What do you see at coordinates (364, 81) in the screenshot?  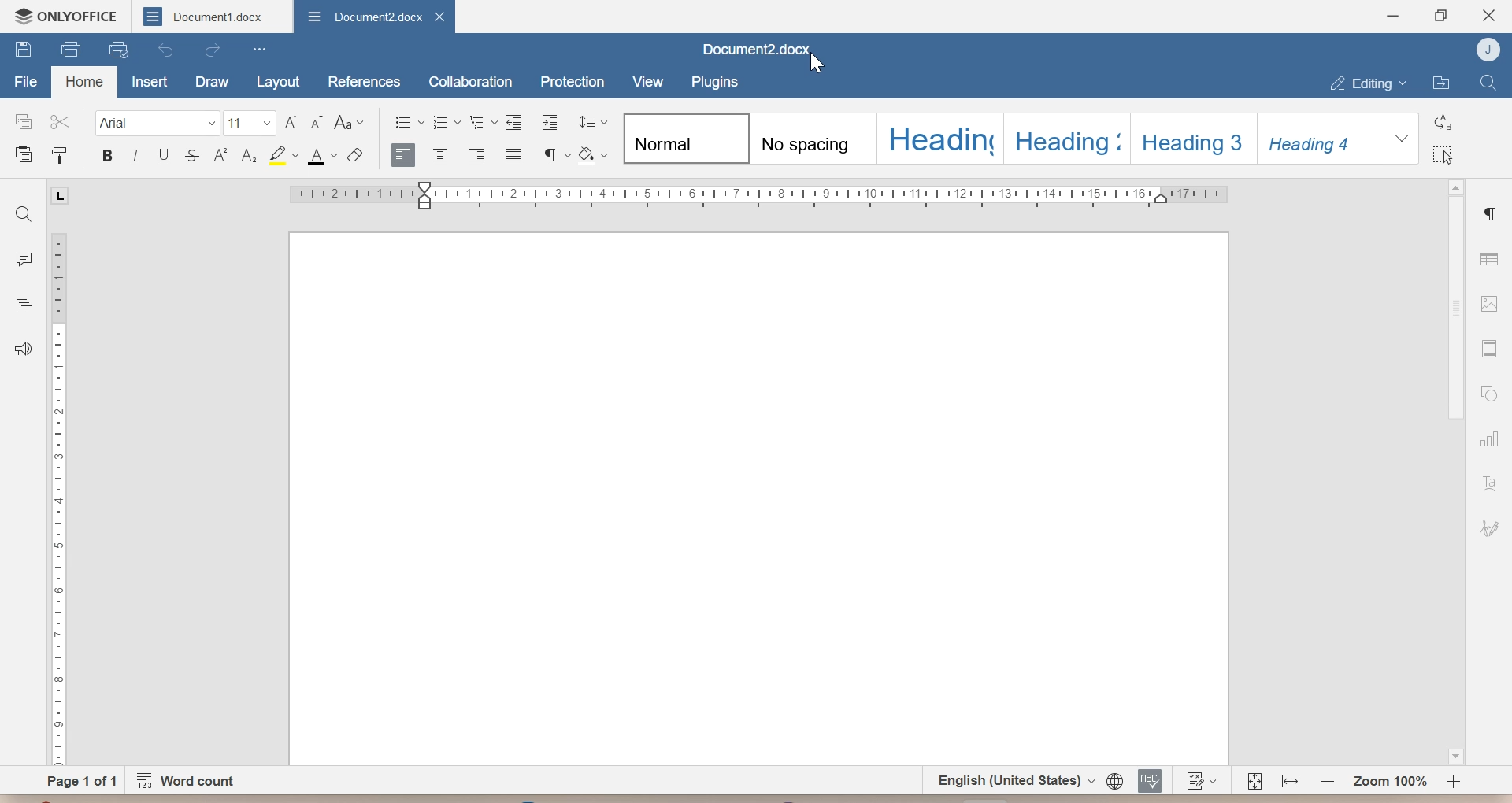 I see `References` at bounding box center [364, 81].